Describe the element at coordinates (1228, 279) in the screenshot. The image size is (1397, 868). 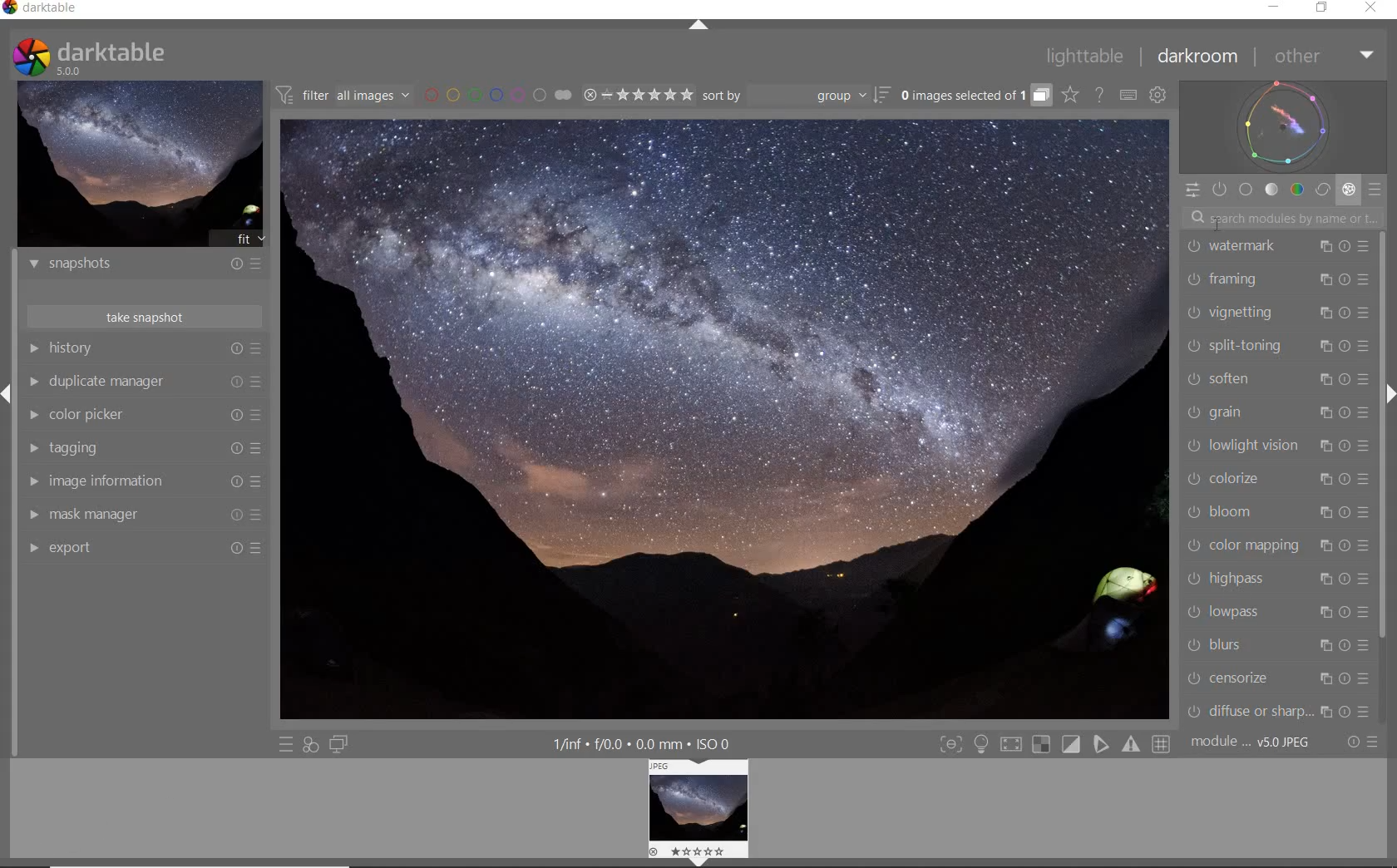
I see `FRAMING` at that location.